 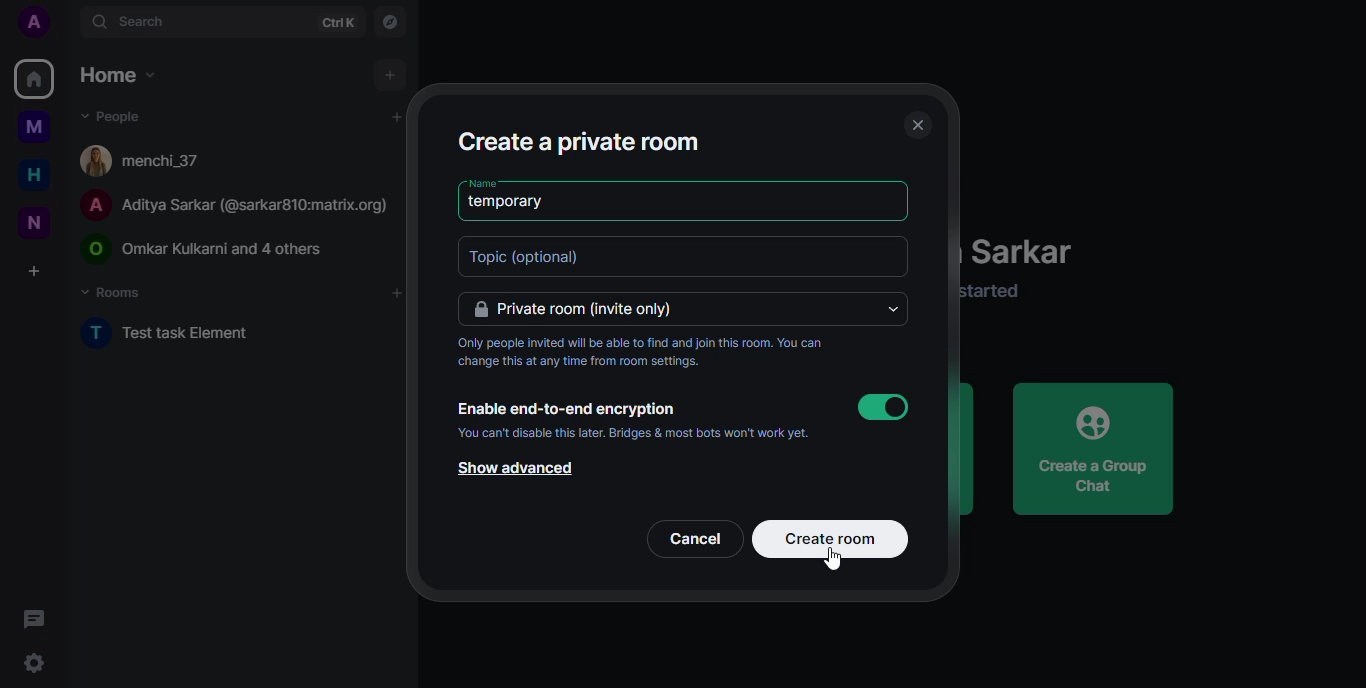 I want to click on topic, so click(x=541, y=257).